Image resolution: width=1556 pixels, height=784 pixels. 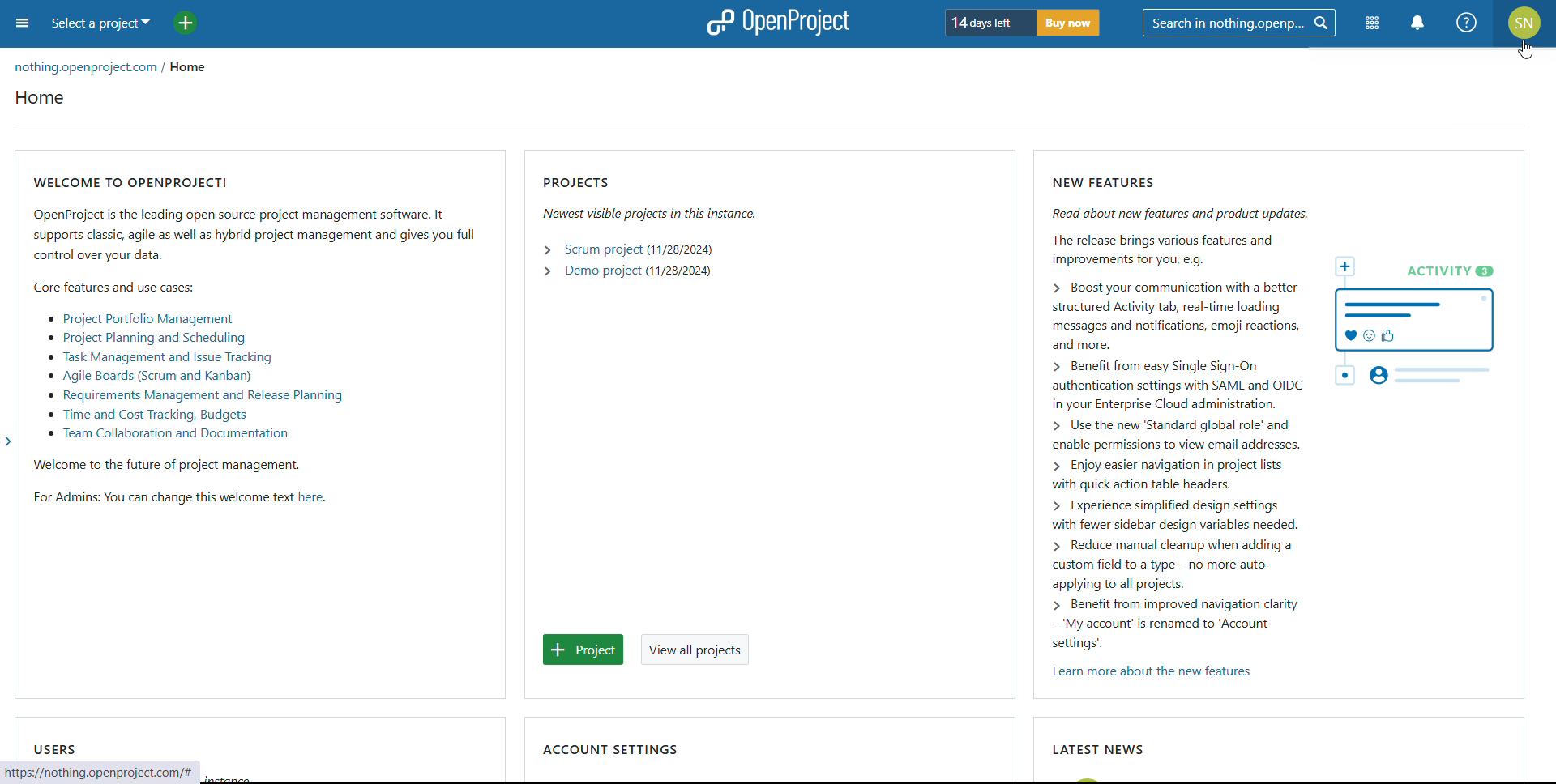 I want to click on search, so click(x=1238, y=23).